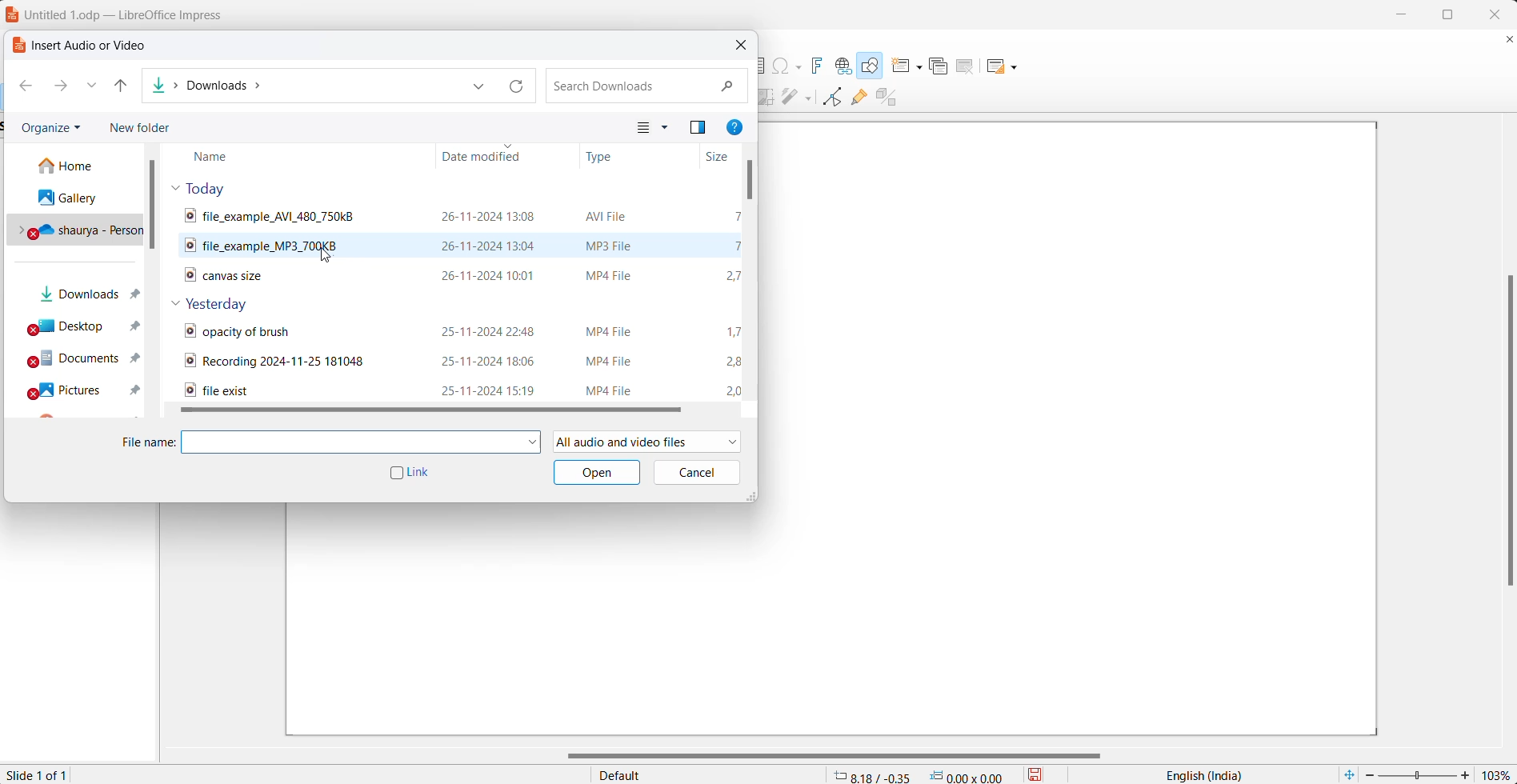 The width and height of the screenshot is (1517, 784). I want to click on filter options, so click(808, 100).